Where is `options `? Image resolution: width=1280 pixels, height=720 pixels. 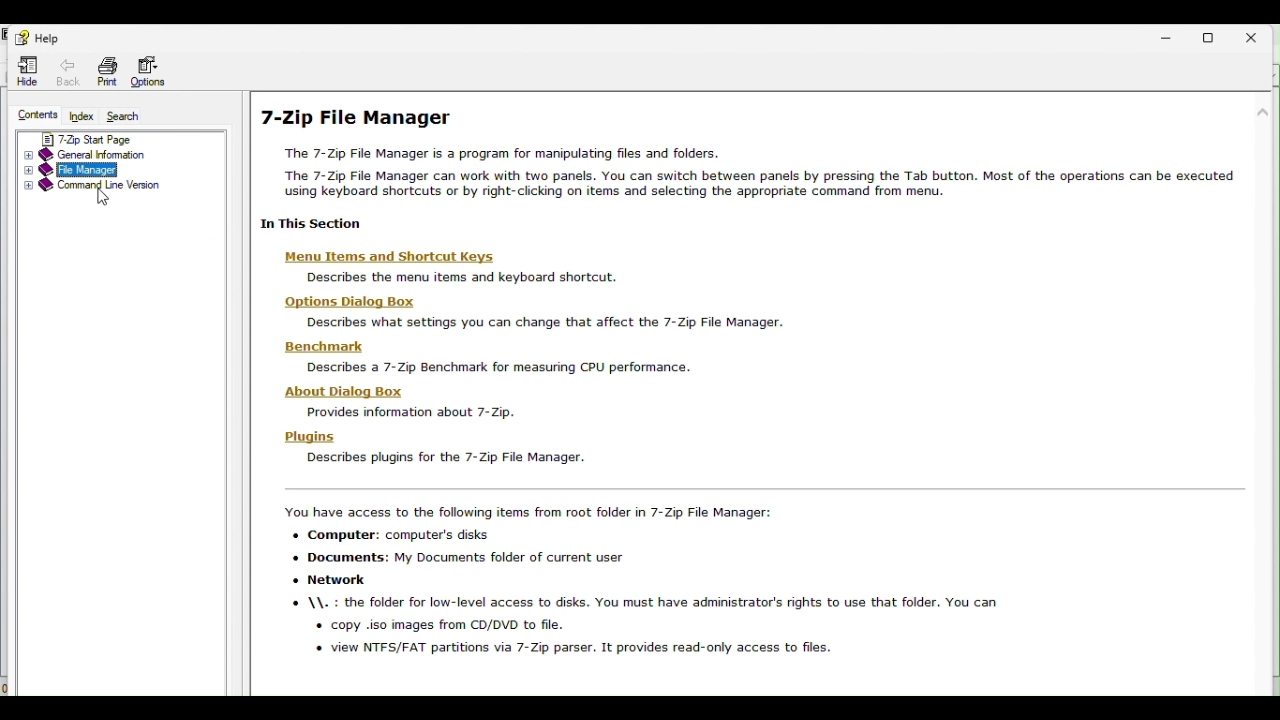
options  is located at coordinates (151, 68).